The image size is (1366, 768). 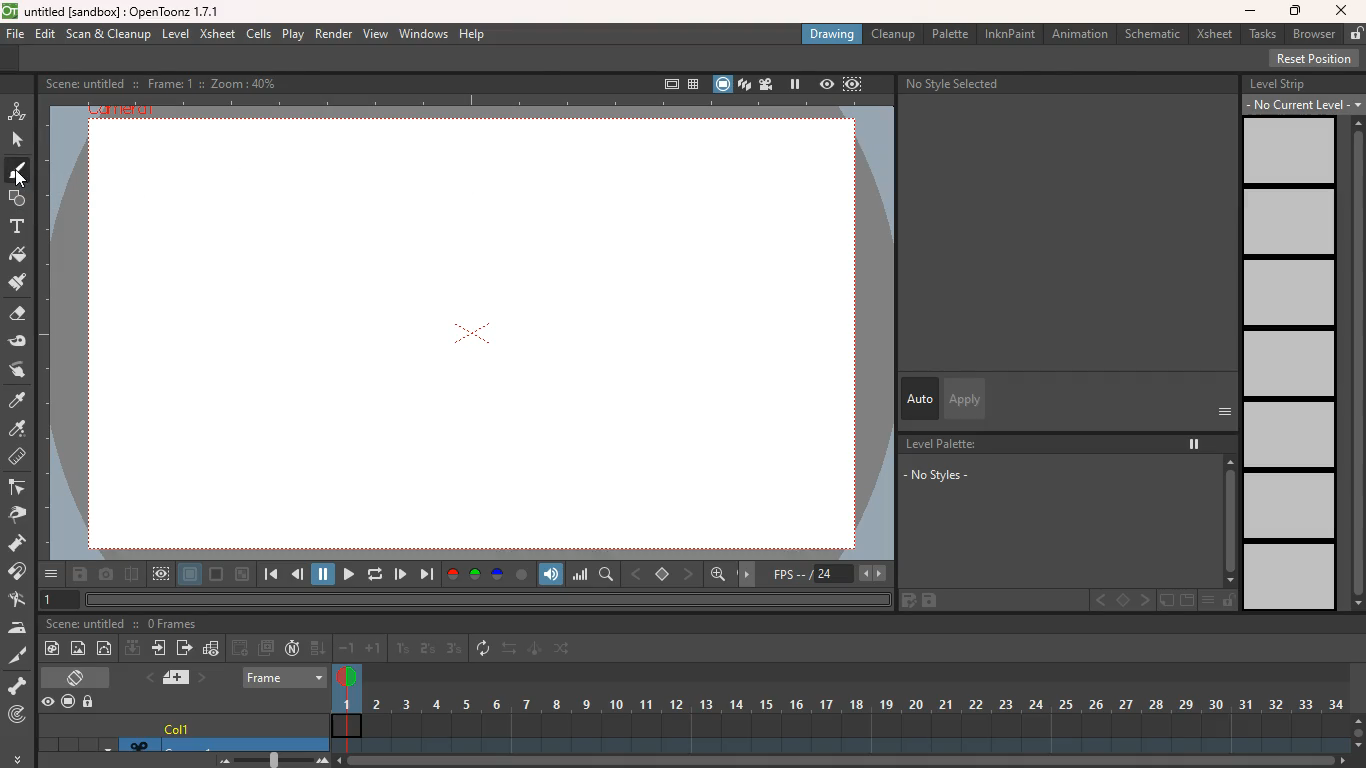 What do you see at coordinates (67, 699) in the screenshot?
I see `screen` at bounding box center [67, 699].